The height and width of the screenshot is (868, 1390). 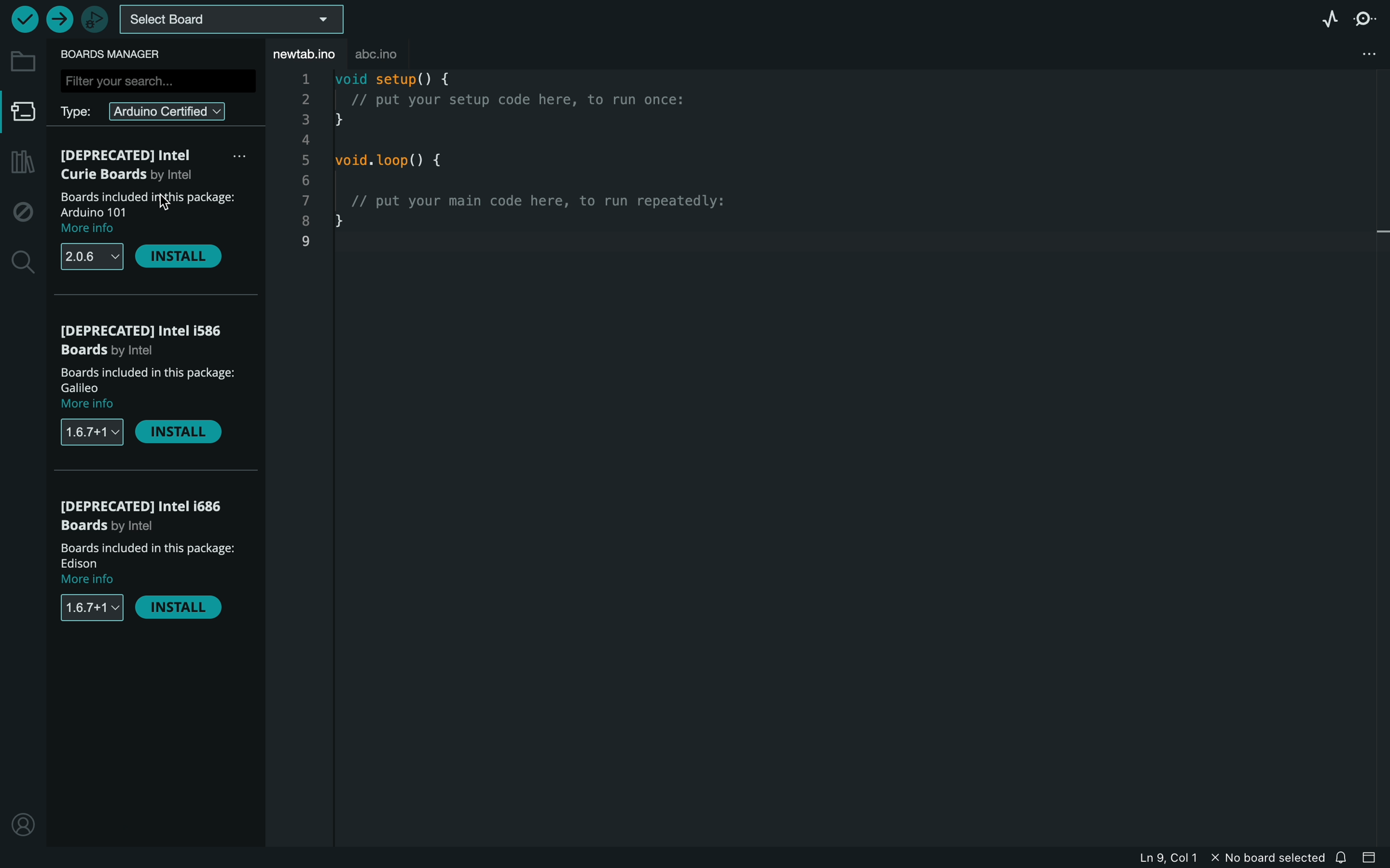 What do you see at coordinates (1225, 857) in the screenshot?
I see `file information` at bounding box center [1225, 857].